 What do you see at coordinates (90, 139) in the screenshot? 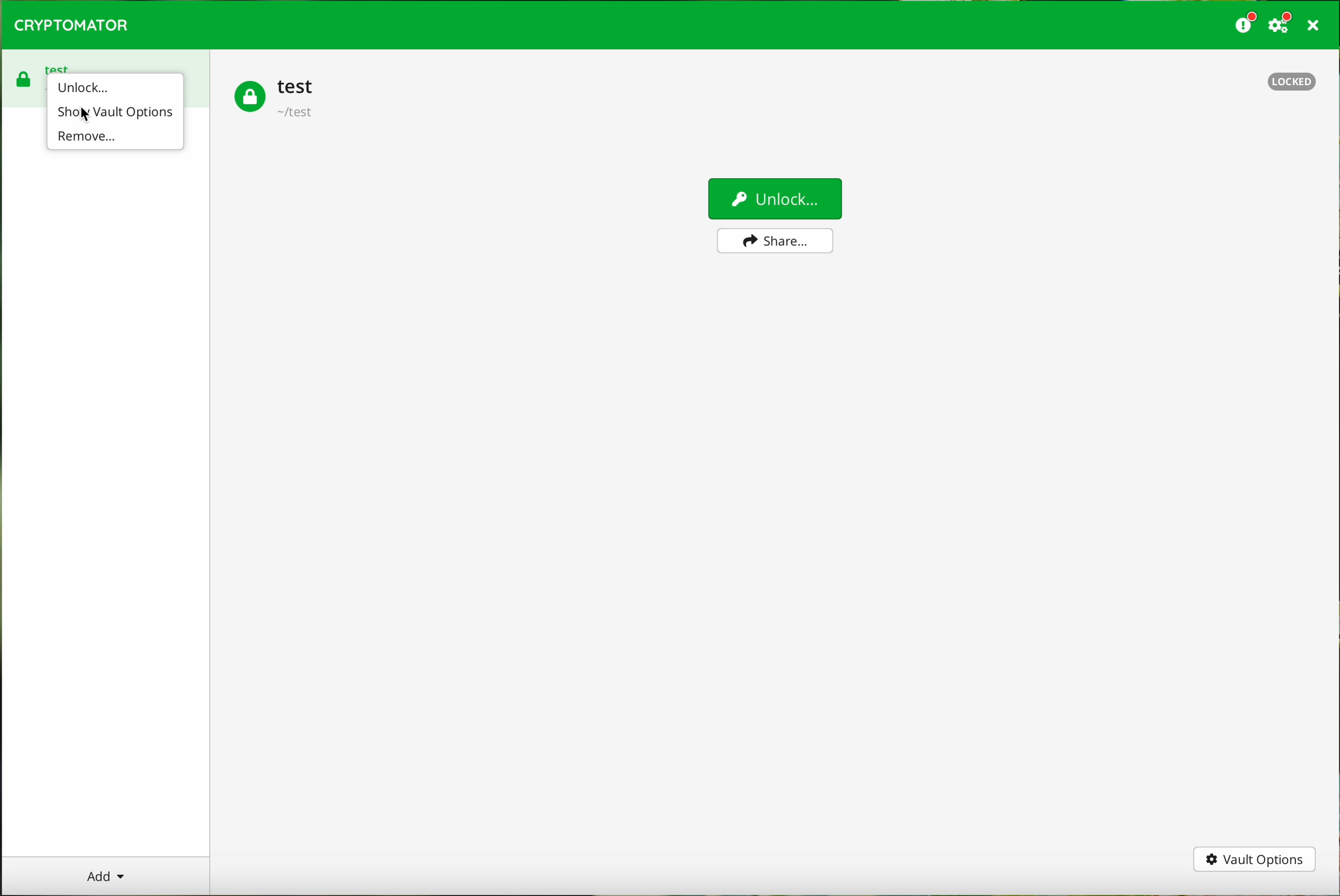
I see `remove` at bounding box center [90, 139].